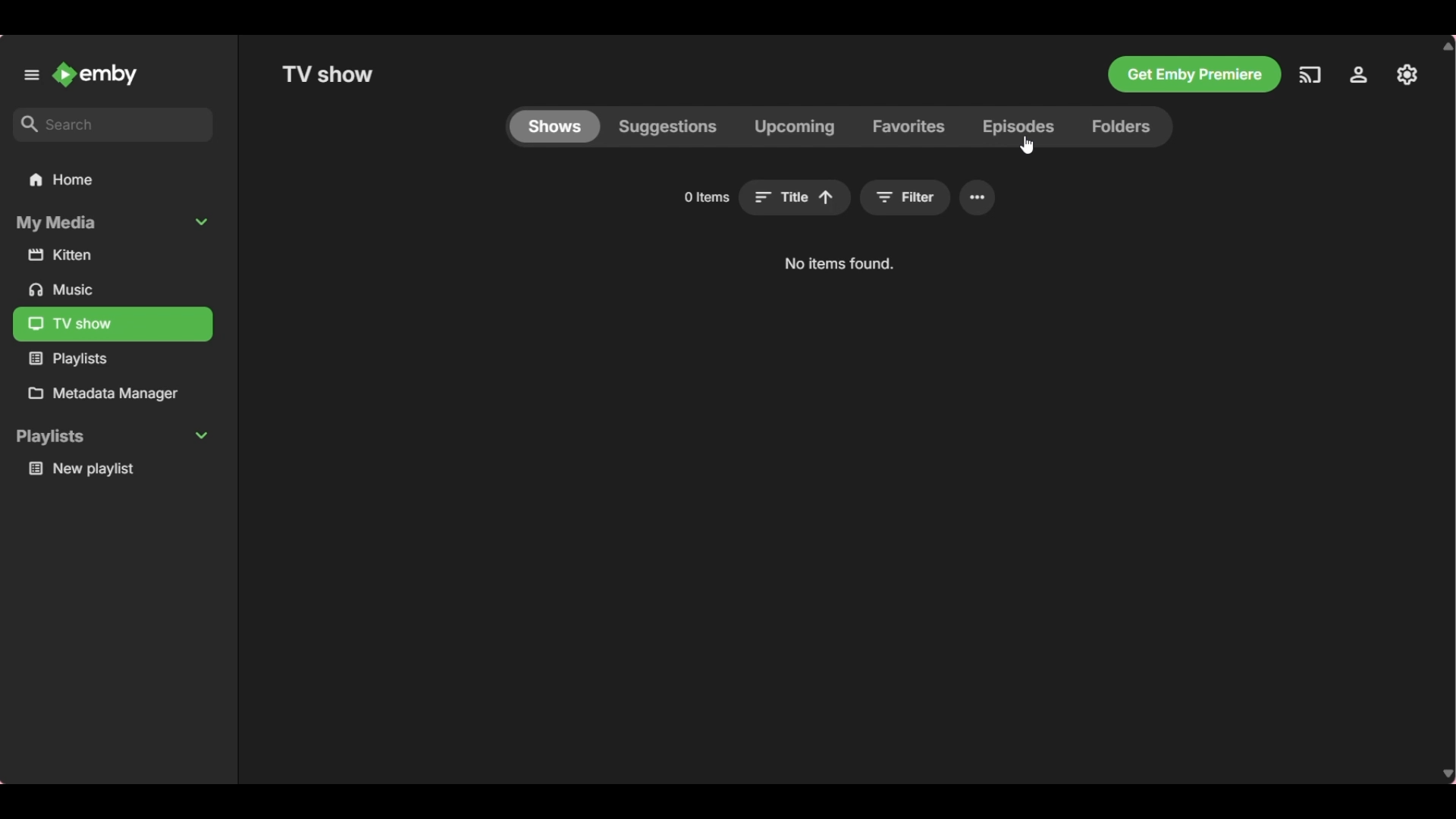 This screenshot has height=819, width=1456. What do you see at coordinates (1358, 74) in the screenshot?
I see `Settings` at bounding box center [1358, 74].